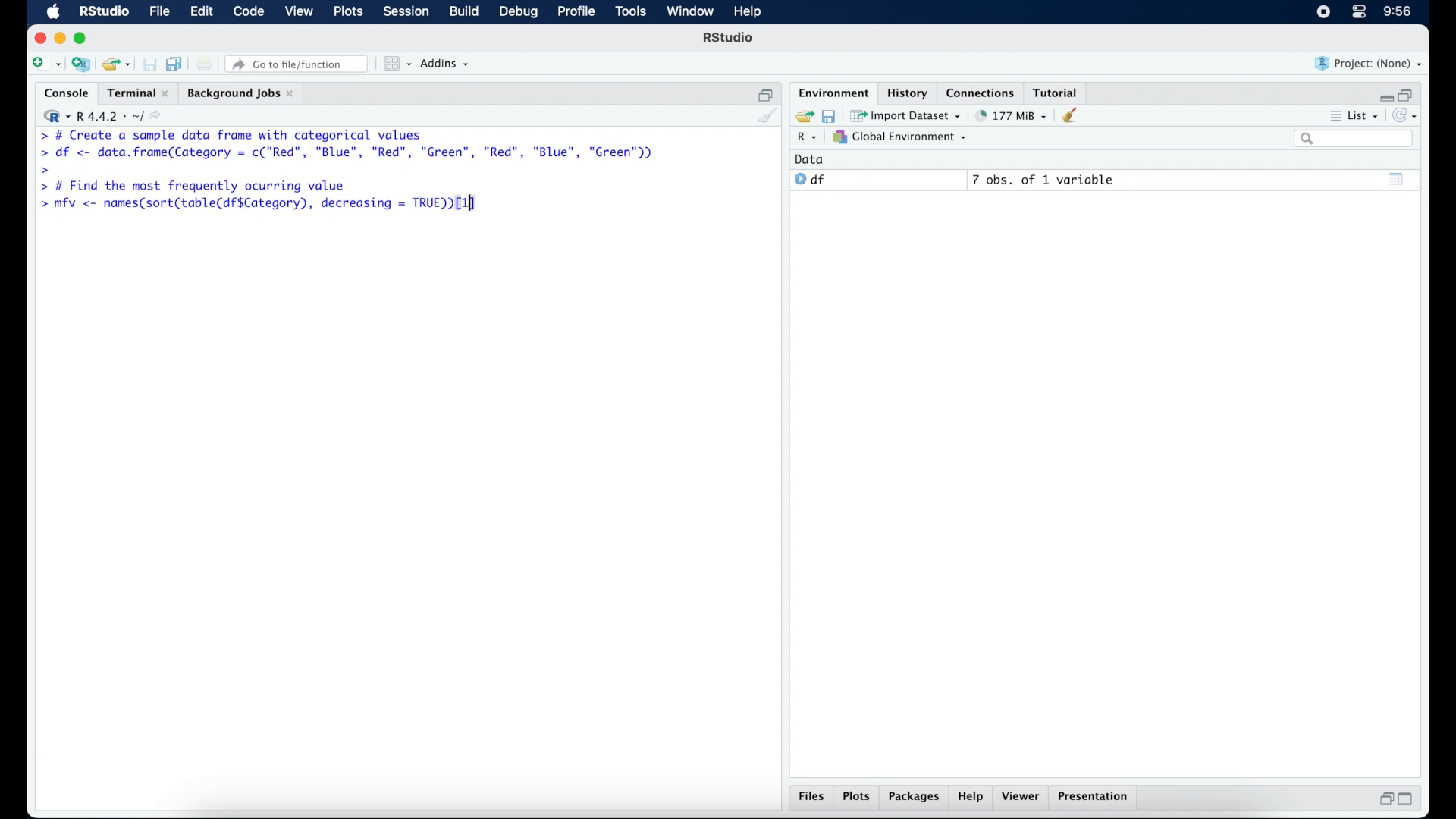 The width and height of the screenshot is (1456, 819). Describe the element at coordinates (907, 115) in the screenshot. I see `import dataset` at that location.